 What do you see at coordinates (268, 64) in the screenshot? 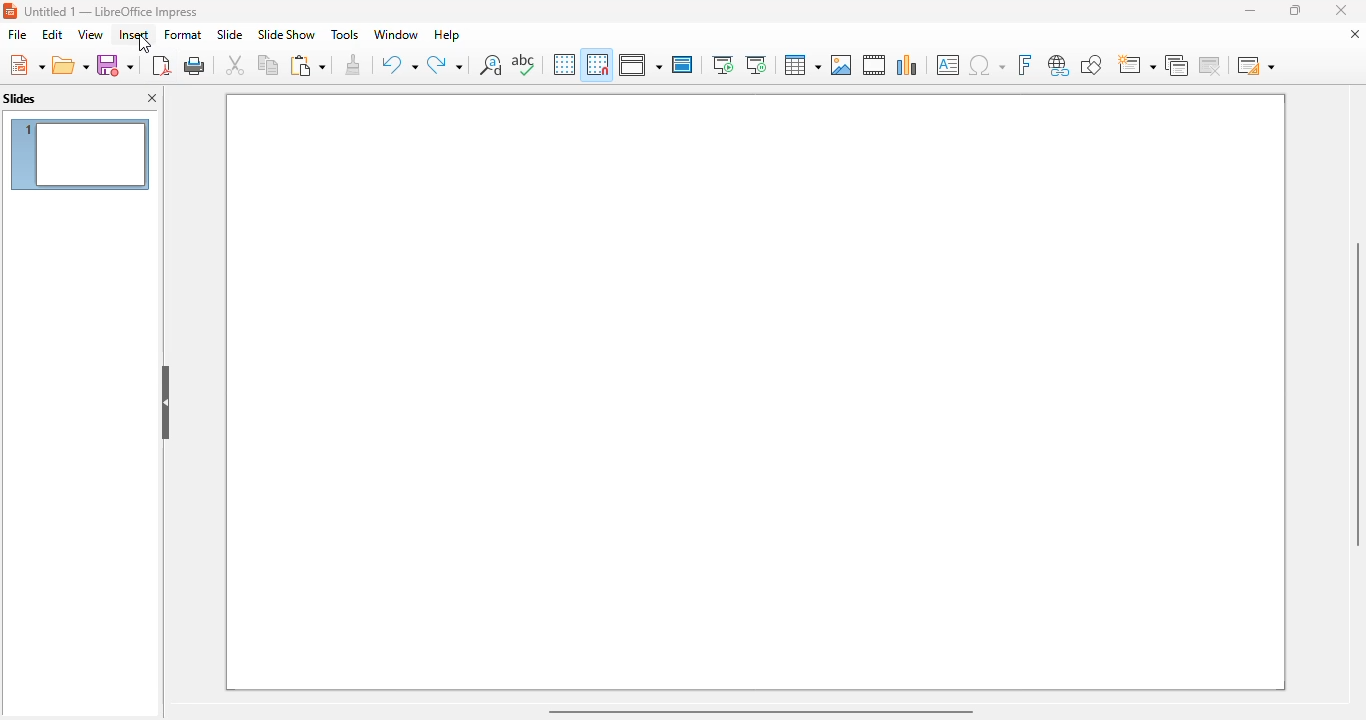
I see `copy` at bounding box center [268, 64].